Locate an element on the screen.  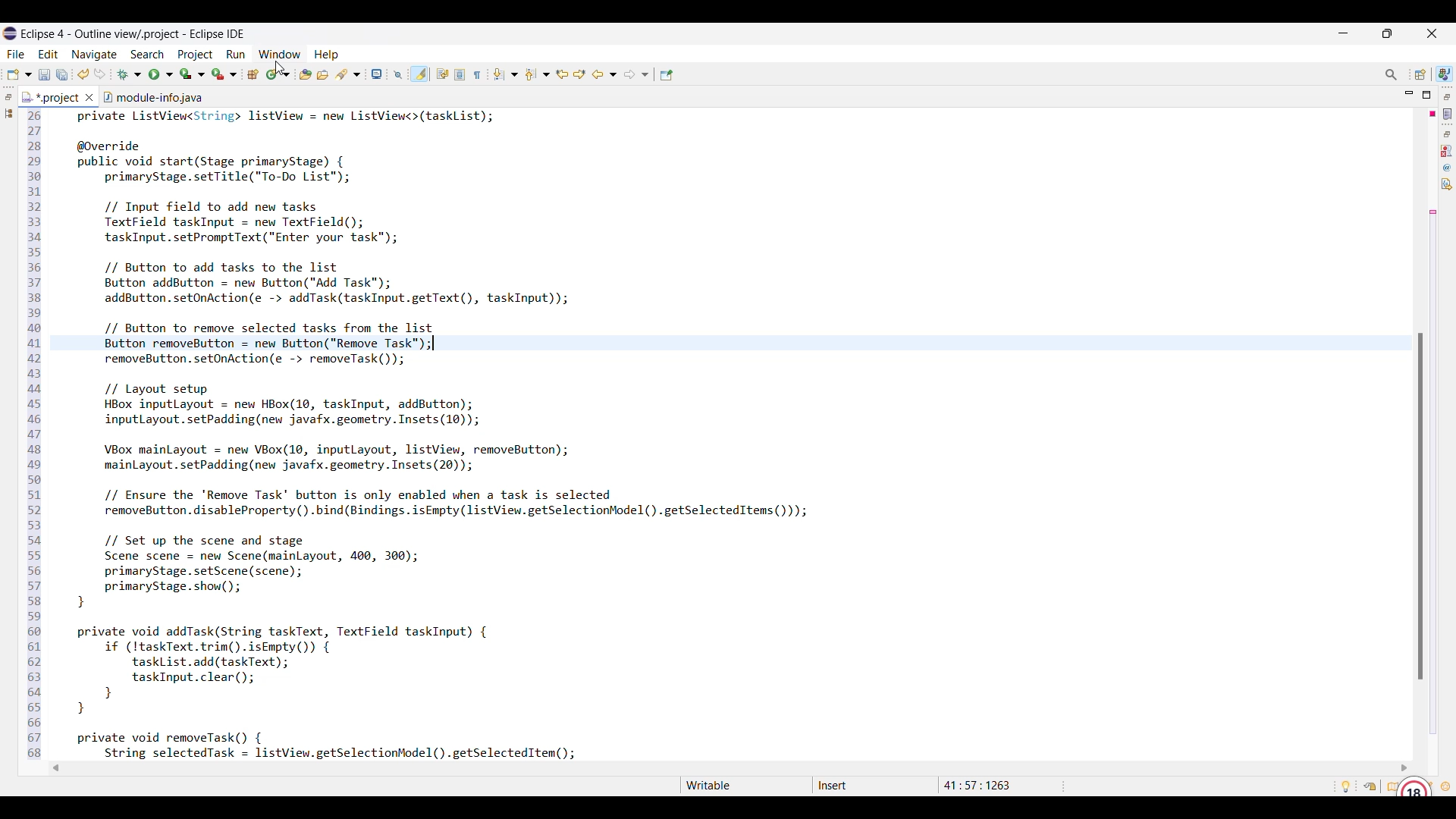
Toggle block selection mode is located at coordinates (460, 74).